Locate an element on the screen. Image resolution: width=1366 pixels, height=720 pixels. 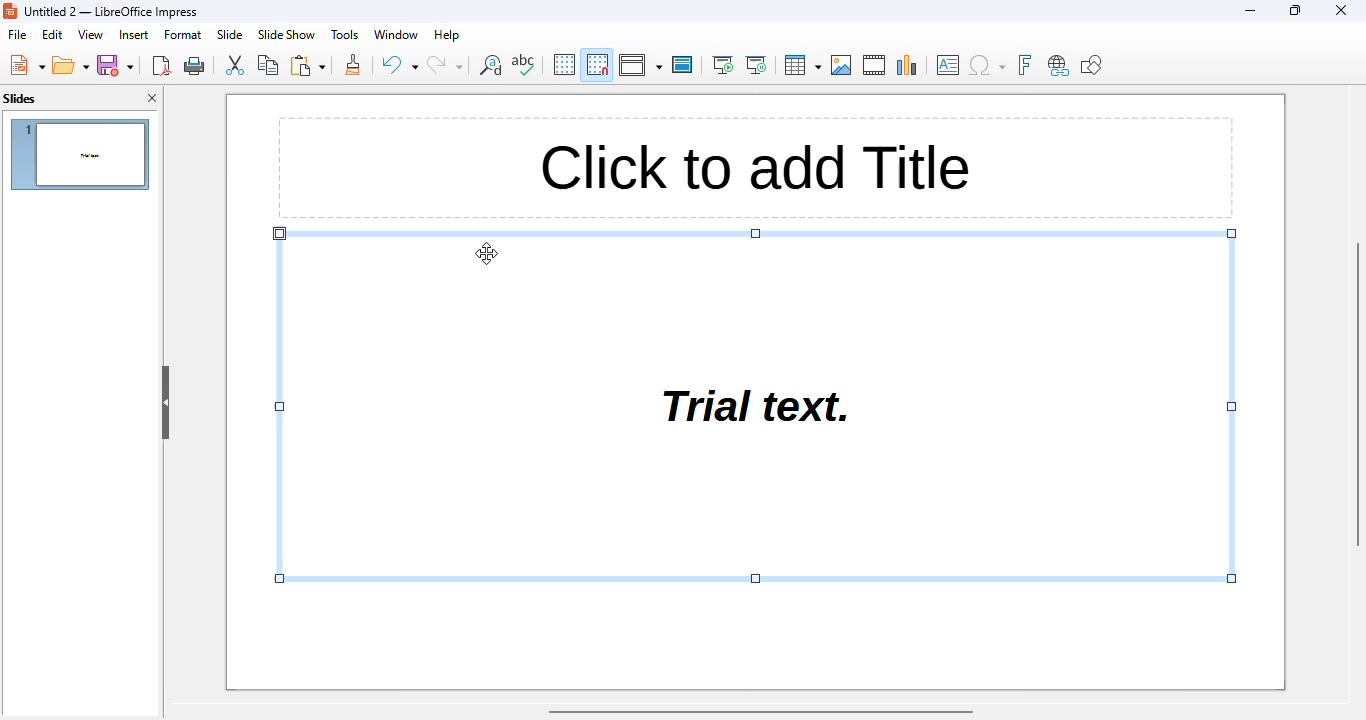
new is located at coordinates (116, 66).